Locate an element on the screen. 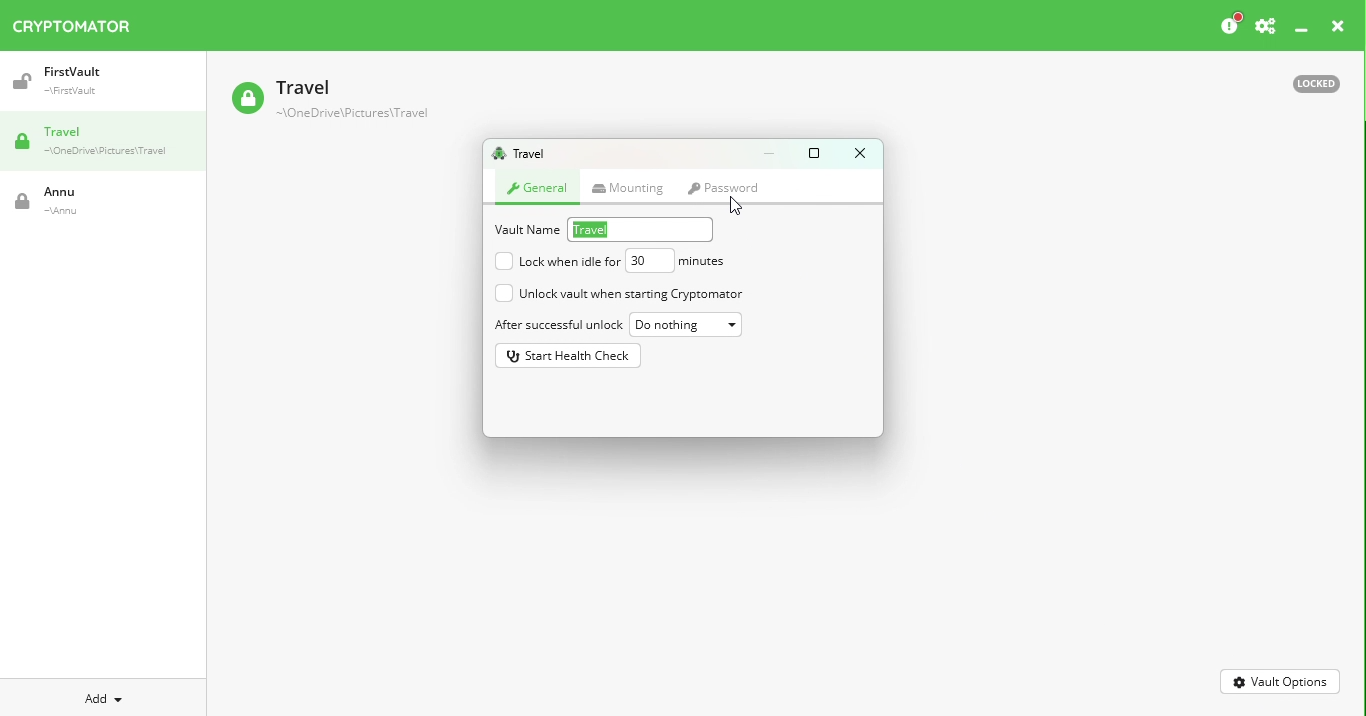  General is located at coordinates (537, 187).